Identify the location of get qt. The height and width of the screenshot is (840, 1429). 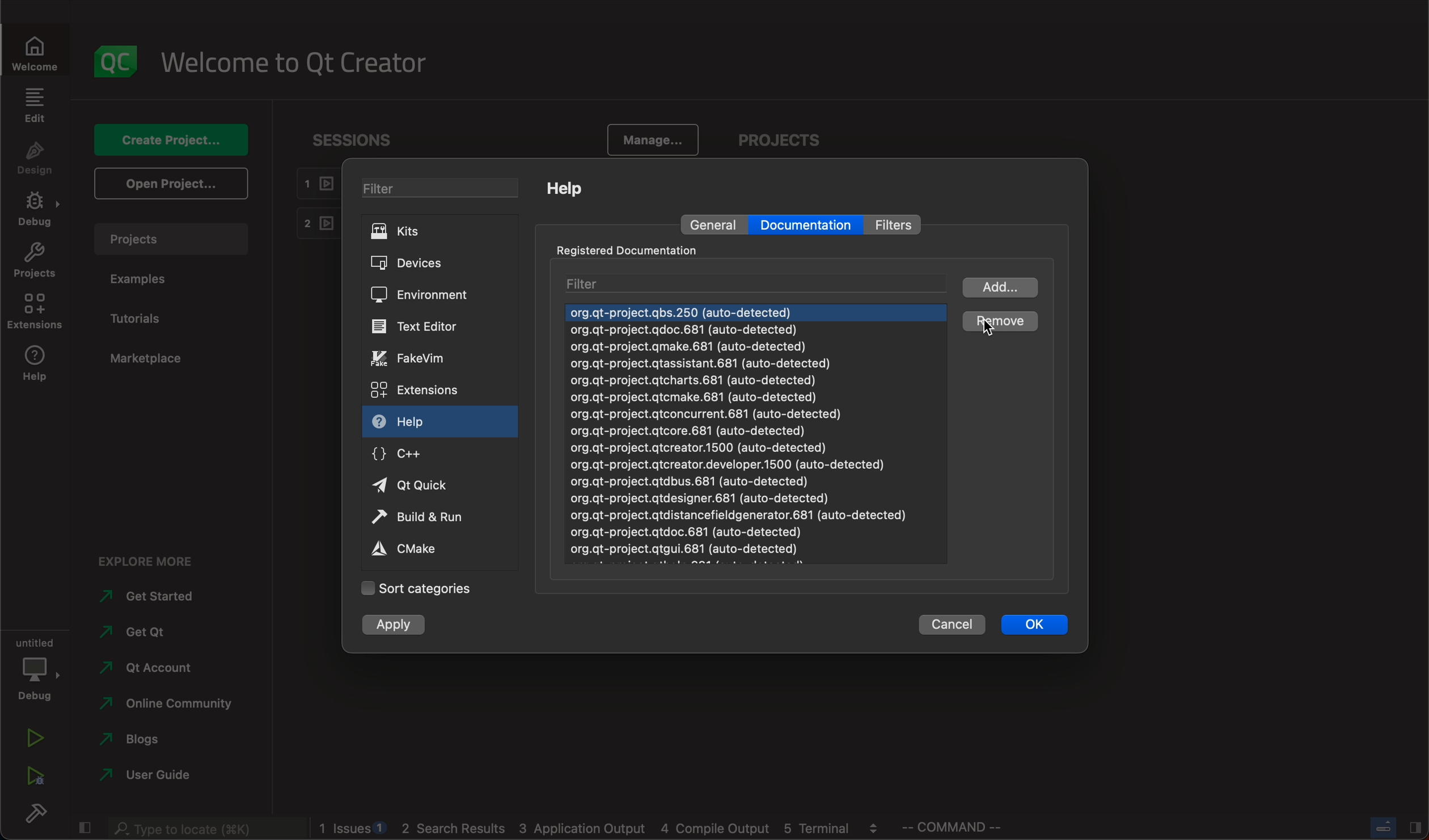
(150, 633).